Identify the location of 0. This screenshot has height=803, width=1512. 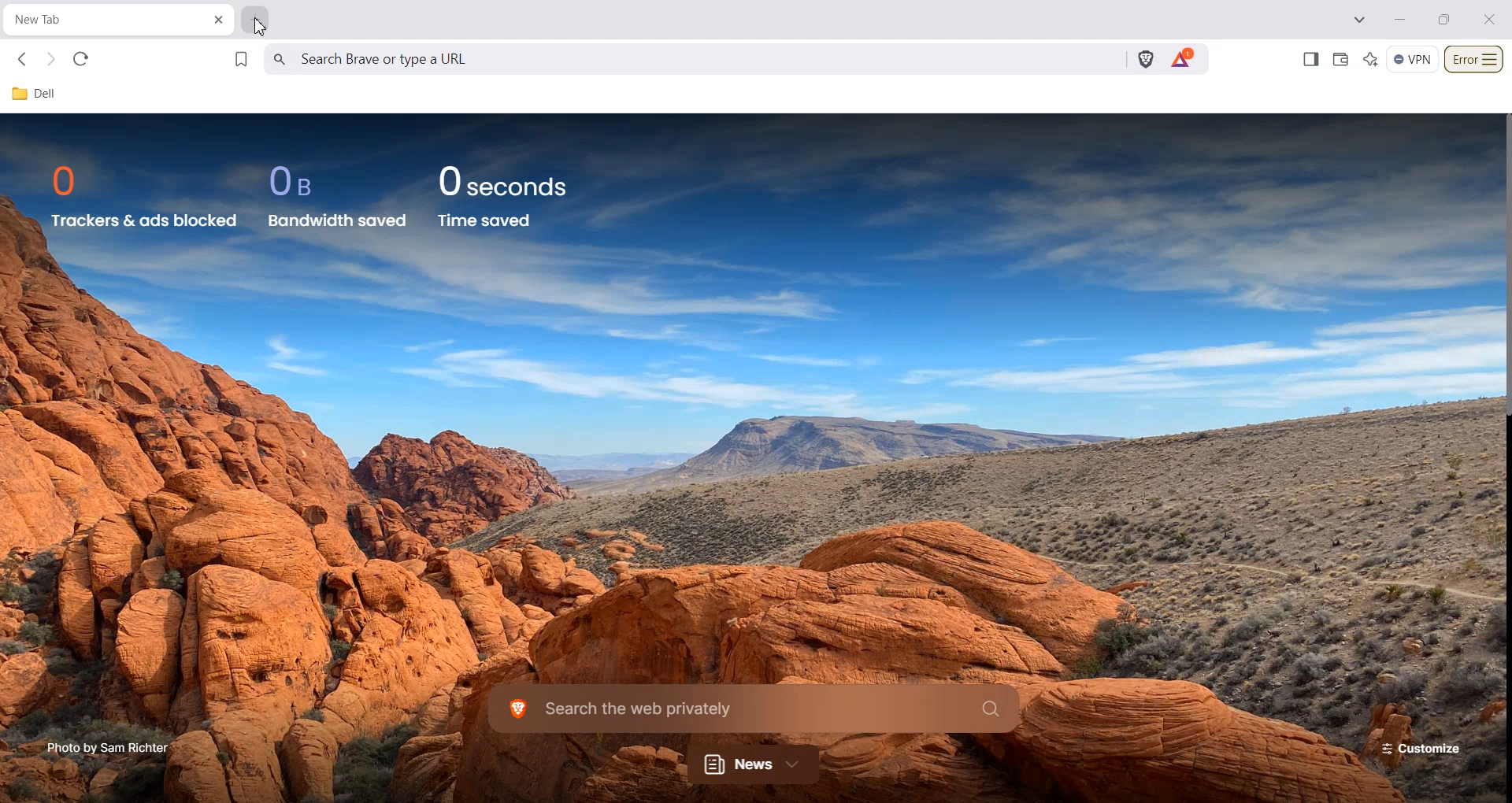
(71, 180).